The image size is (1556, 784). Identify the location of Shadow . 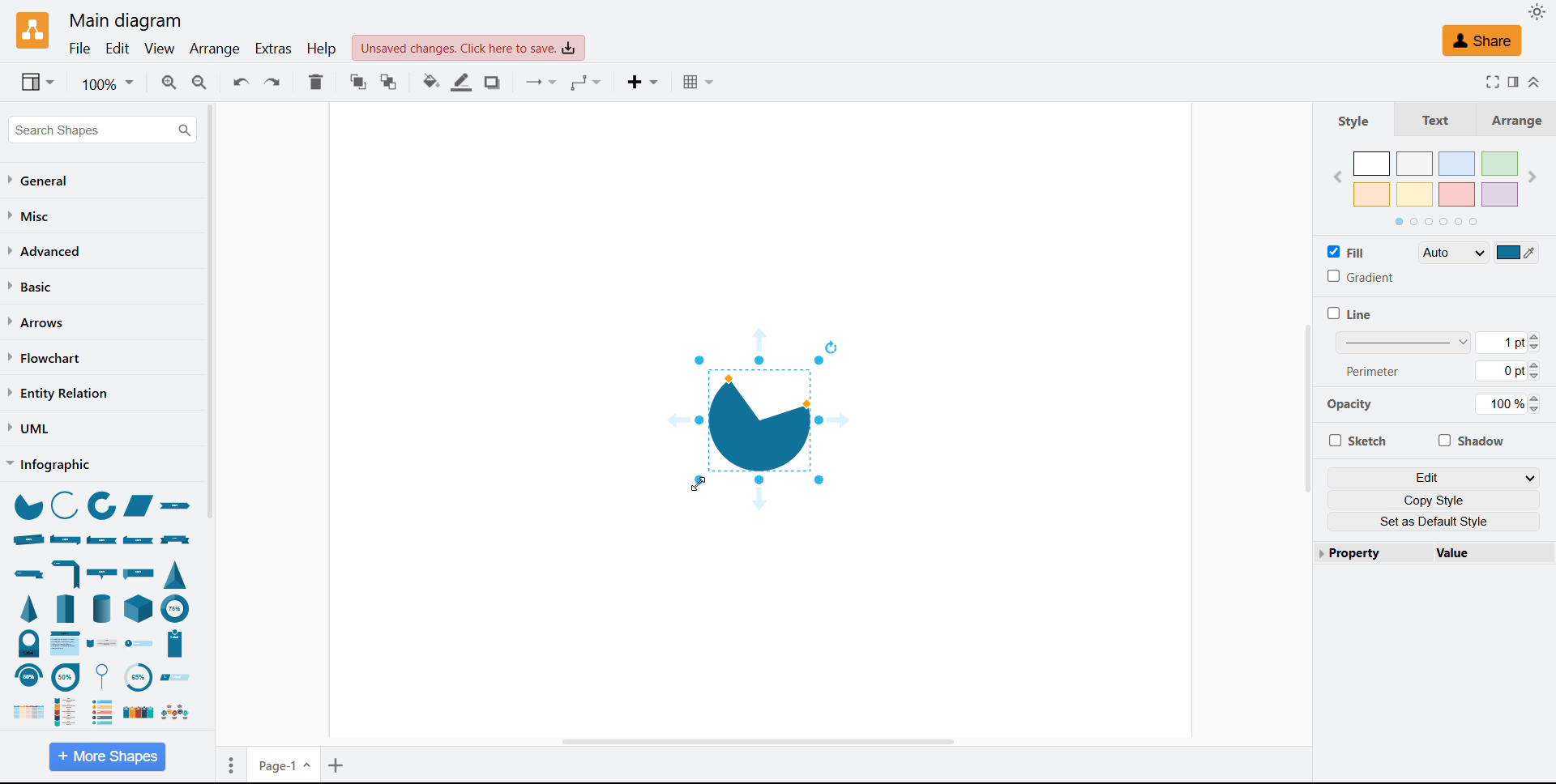
(1470, 440).